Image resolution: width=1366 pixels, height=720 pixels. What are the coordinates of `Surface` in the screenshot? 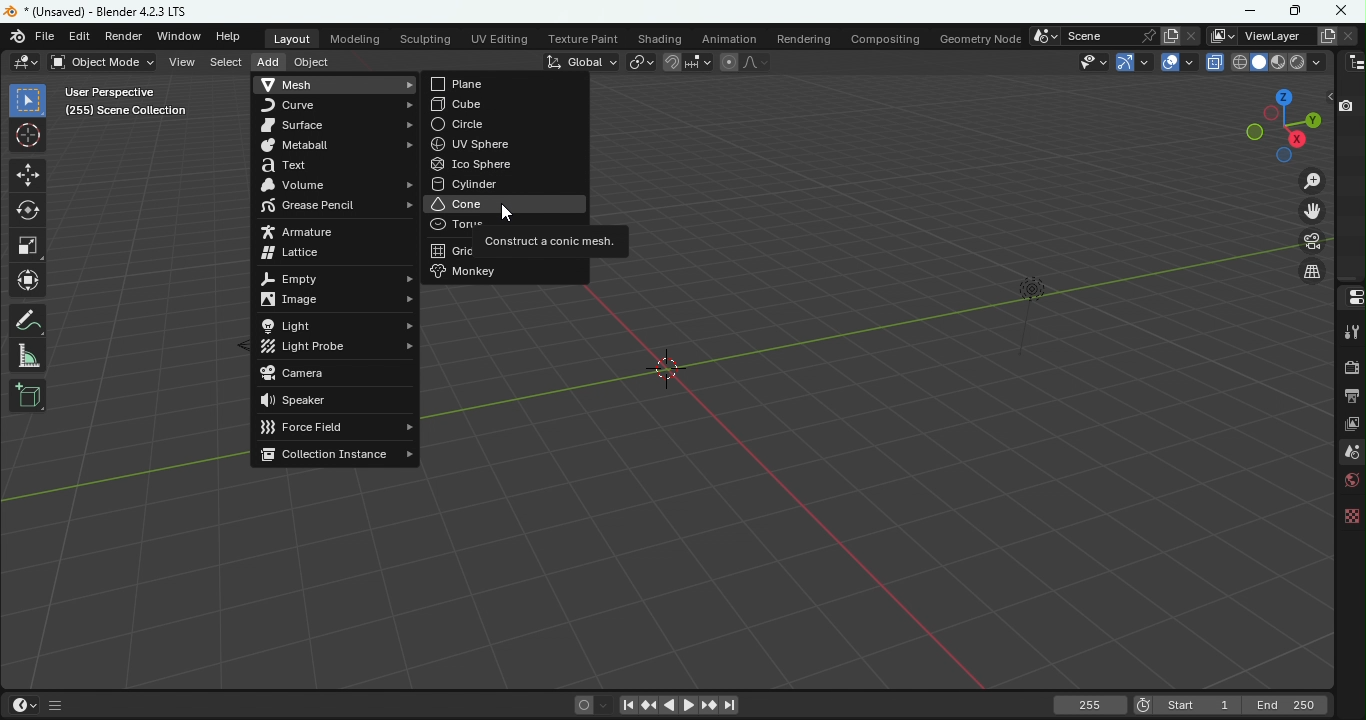 It's located at (338, 127).